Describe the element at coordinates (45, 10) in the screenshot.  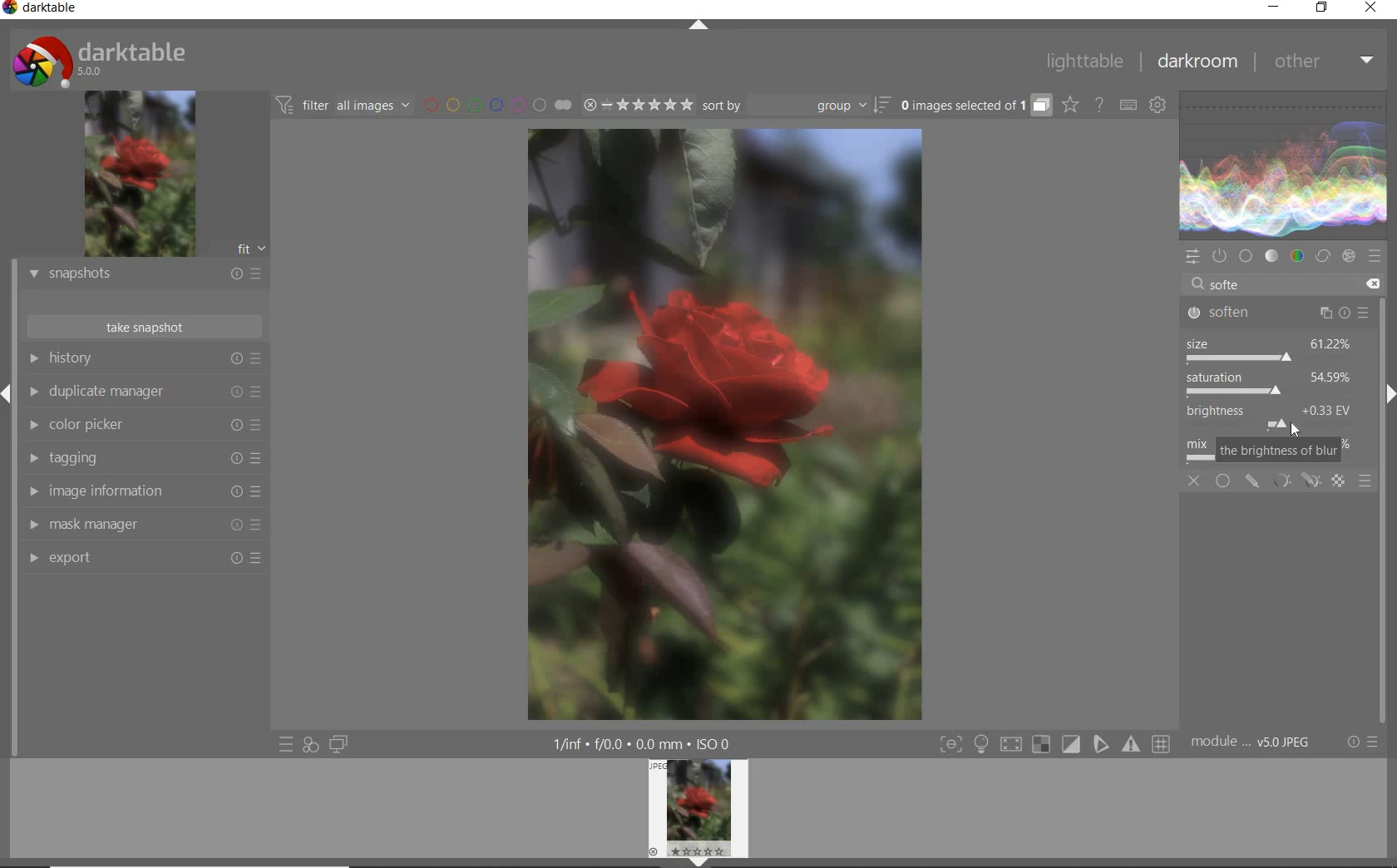
I see `system name` at that location.